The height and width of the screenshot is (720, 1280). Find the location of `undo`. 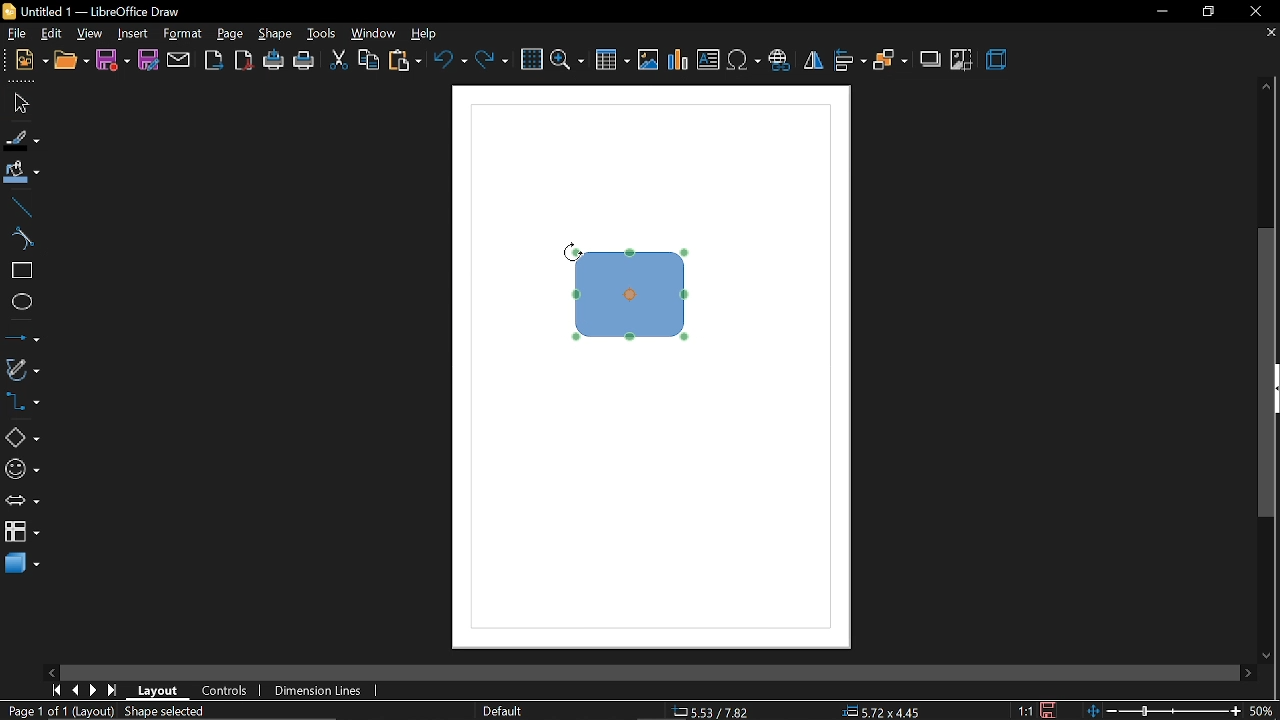

undo is located at coordinates (452, 62).